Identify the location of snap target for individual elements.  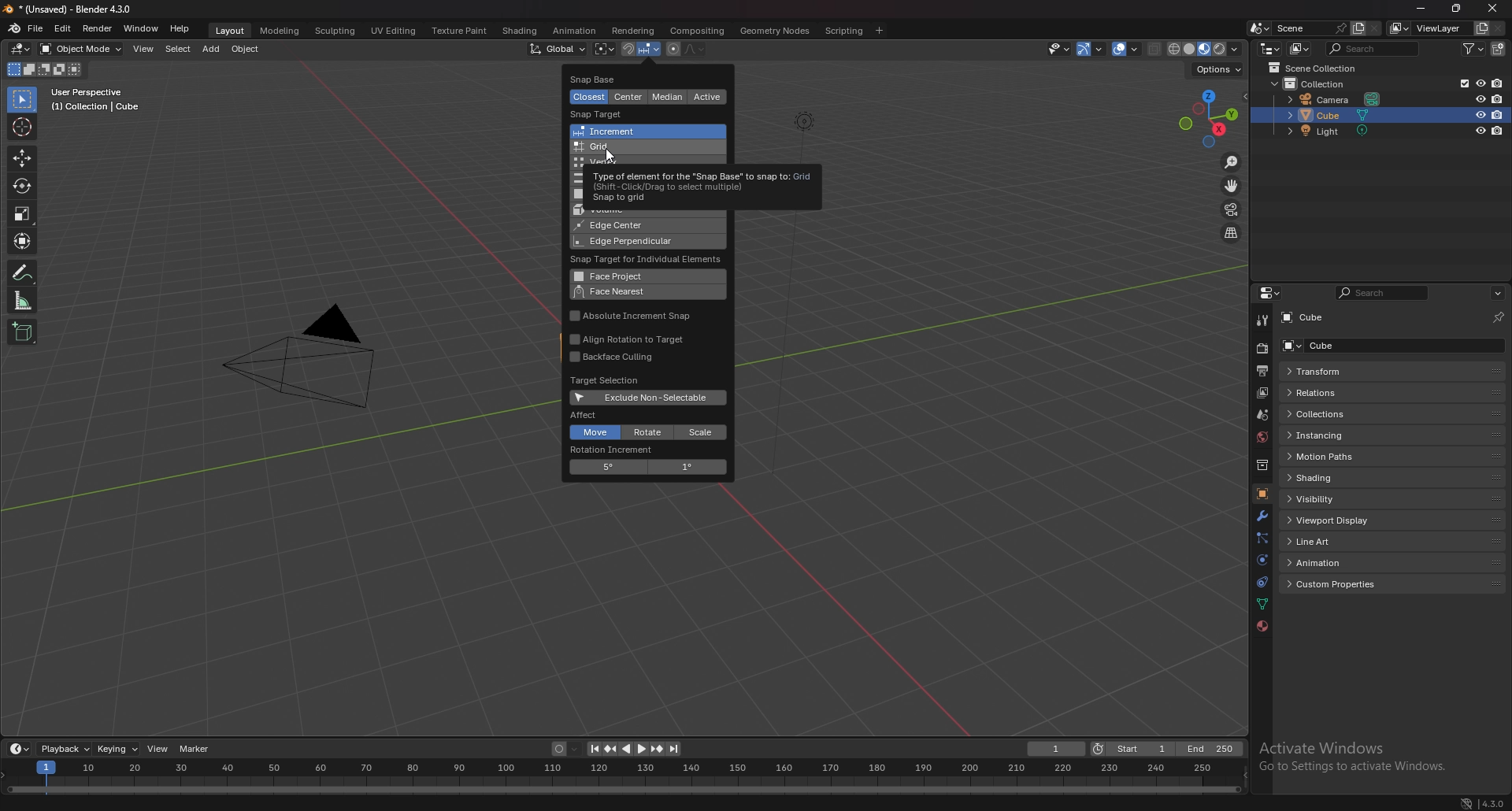
(650, 260).